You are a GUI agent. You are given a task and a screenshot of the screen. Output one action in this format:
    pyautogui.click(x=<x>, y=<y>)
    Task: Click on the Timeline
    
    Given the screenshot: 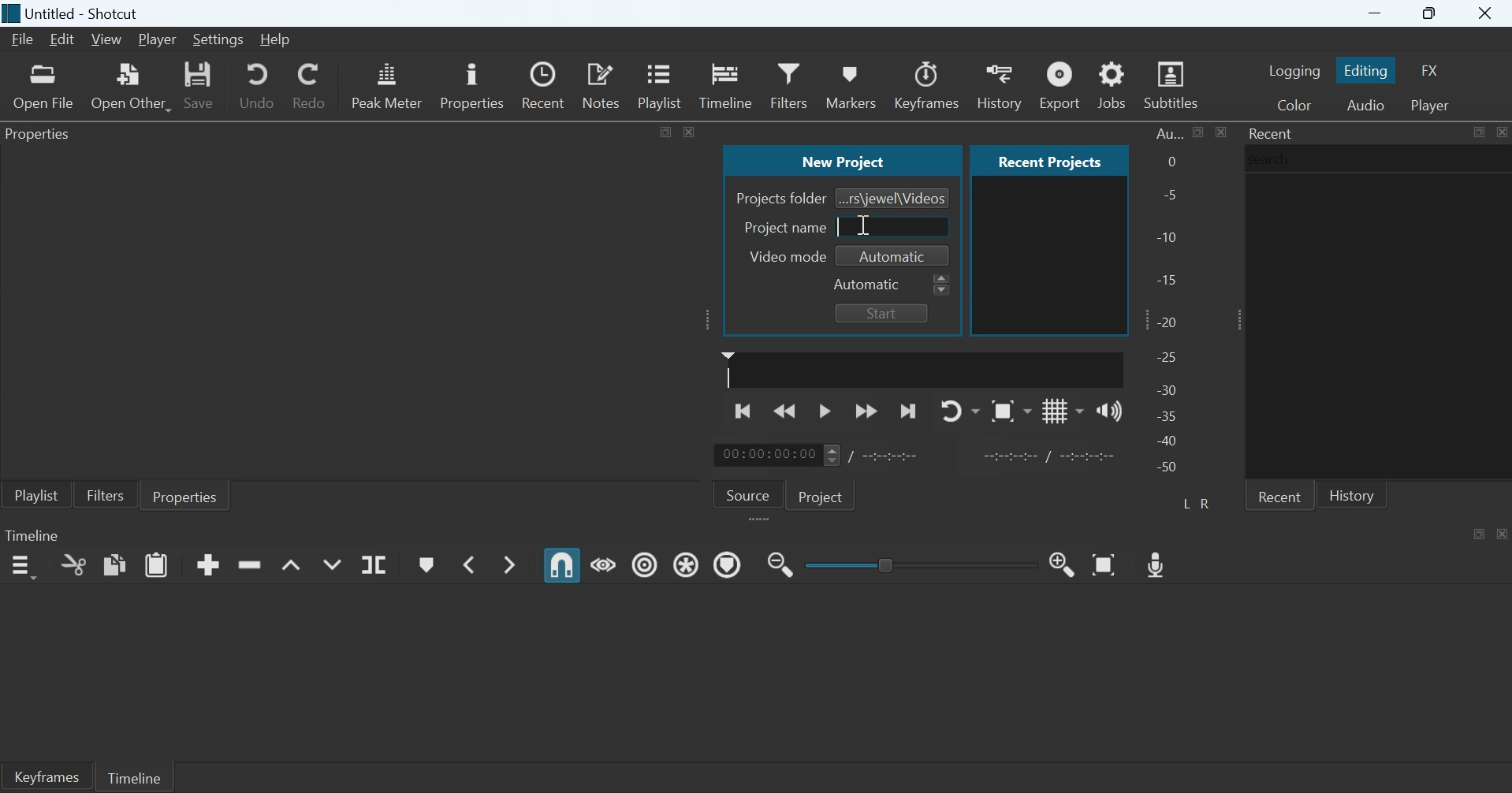 What is the action you would take?
    pyautogui.click(x=133, y=776)
    